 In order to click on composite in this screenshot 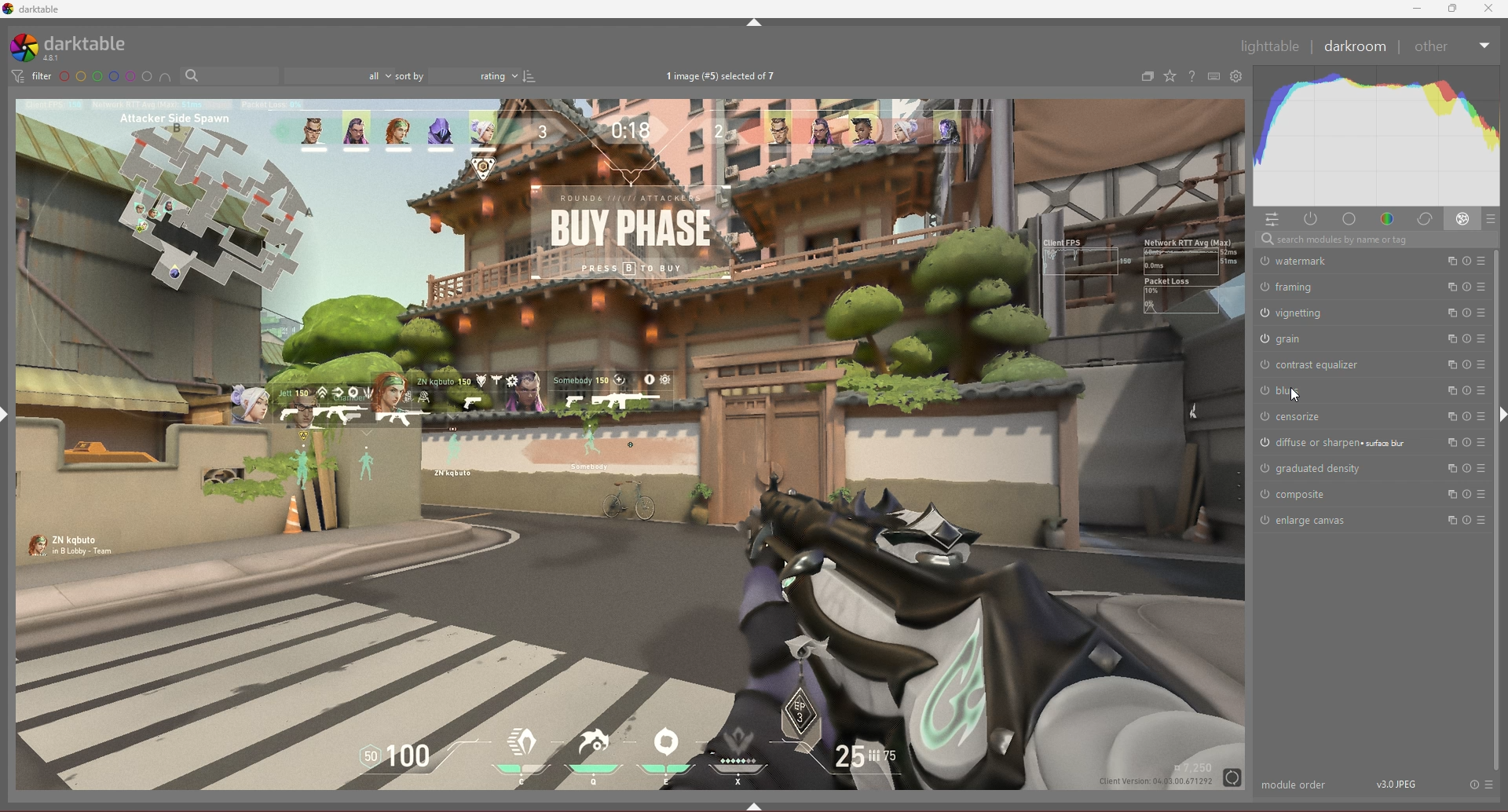, I will do `click(1305, 494)`.